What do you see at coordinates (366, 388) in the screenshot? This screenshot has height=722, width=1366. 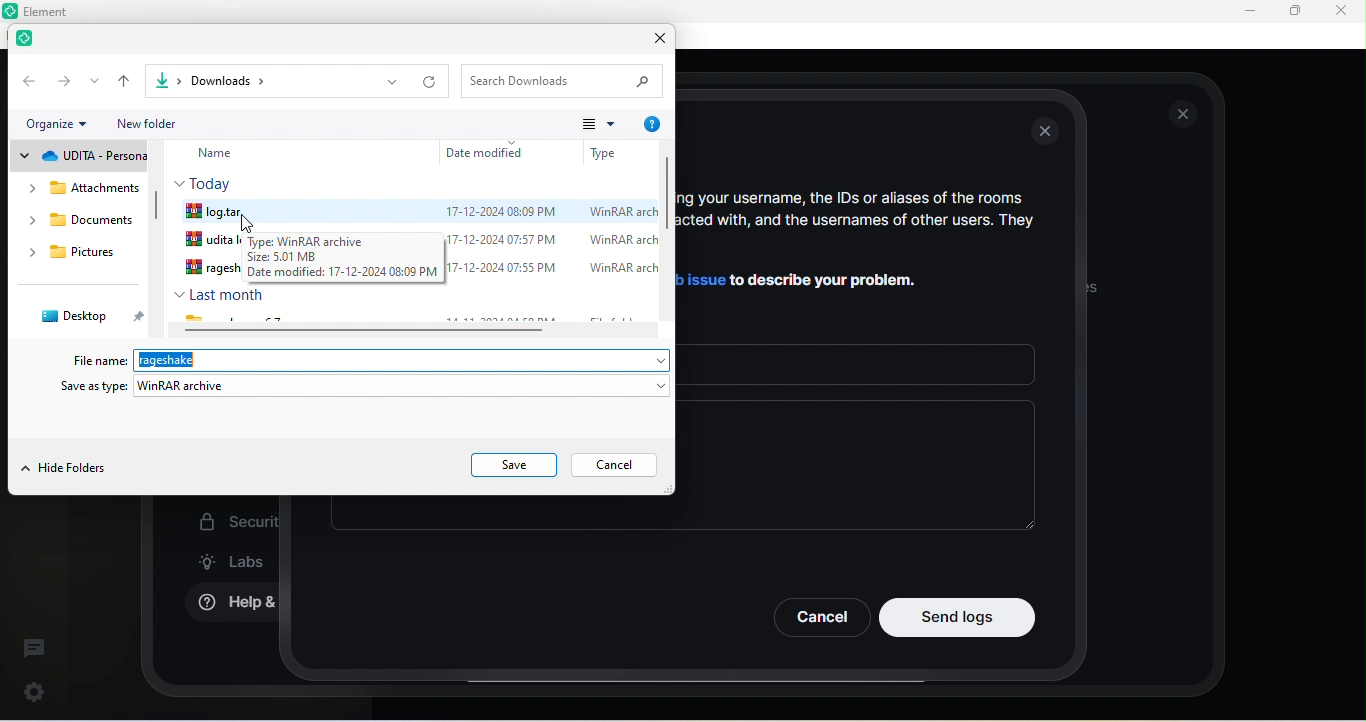 I see `save as` at bounding box center [366, 388].